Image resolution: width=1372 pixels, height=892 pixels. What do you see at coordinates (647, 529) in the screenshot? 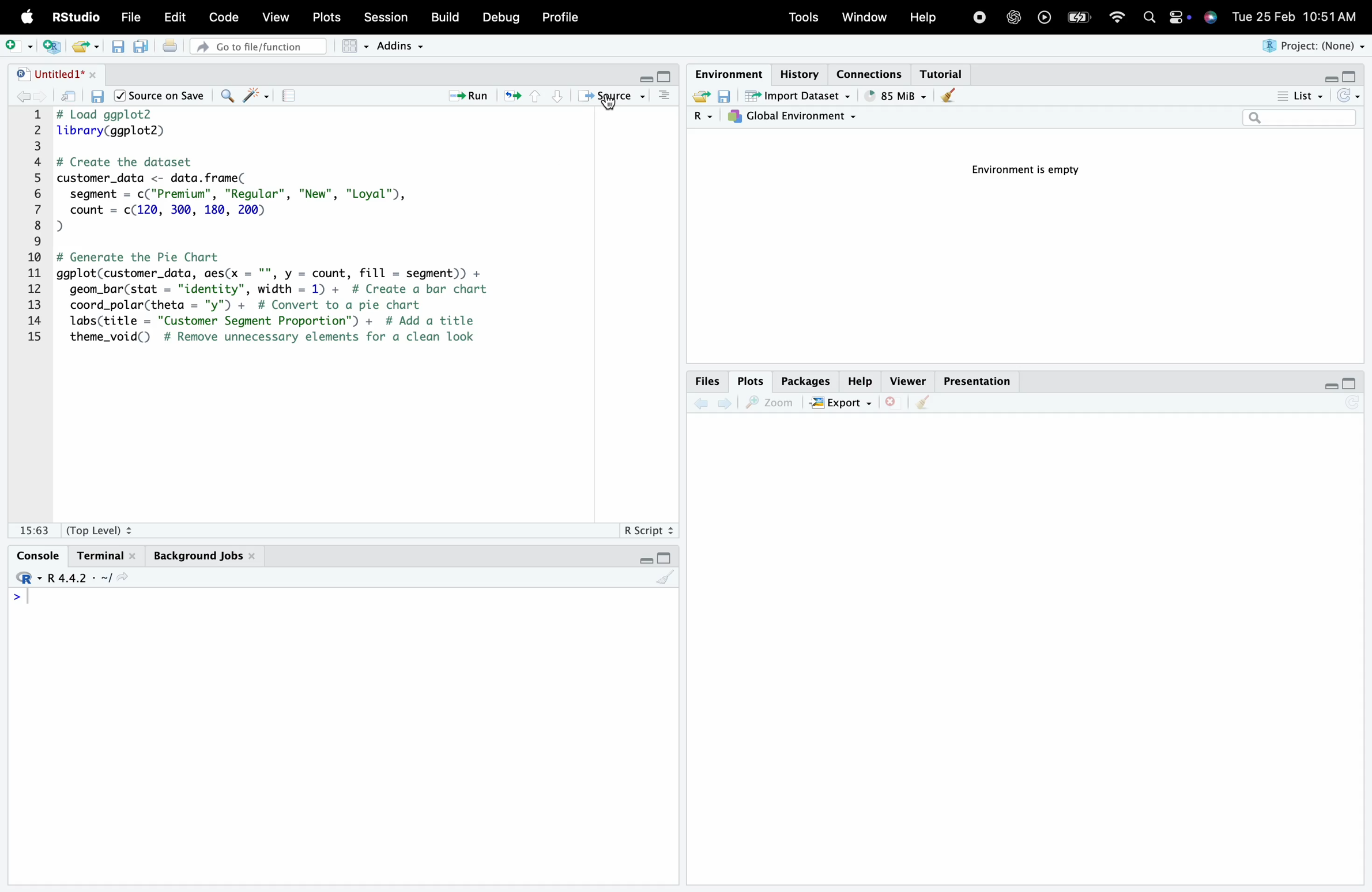
I see `R Script +` at bounding box center [647, 529].